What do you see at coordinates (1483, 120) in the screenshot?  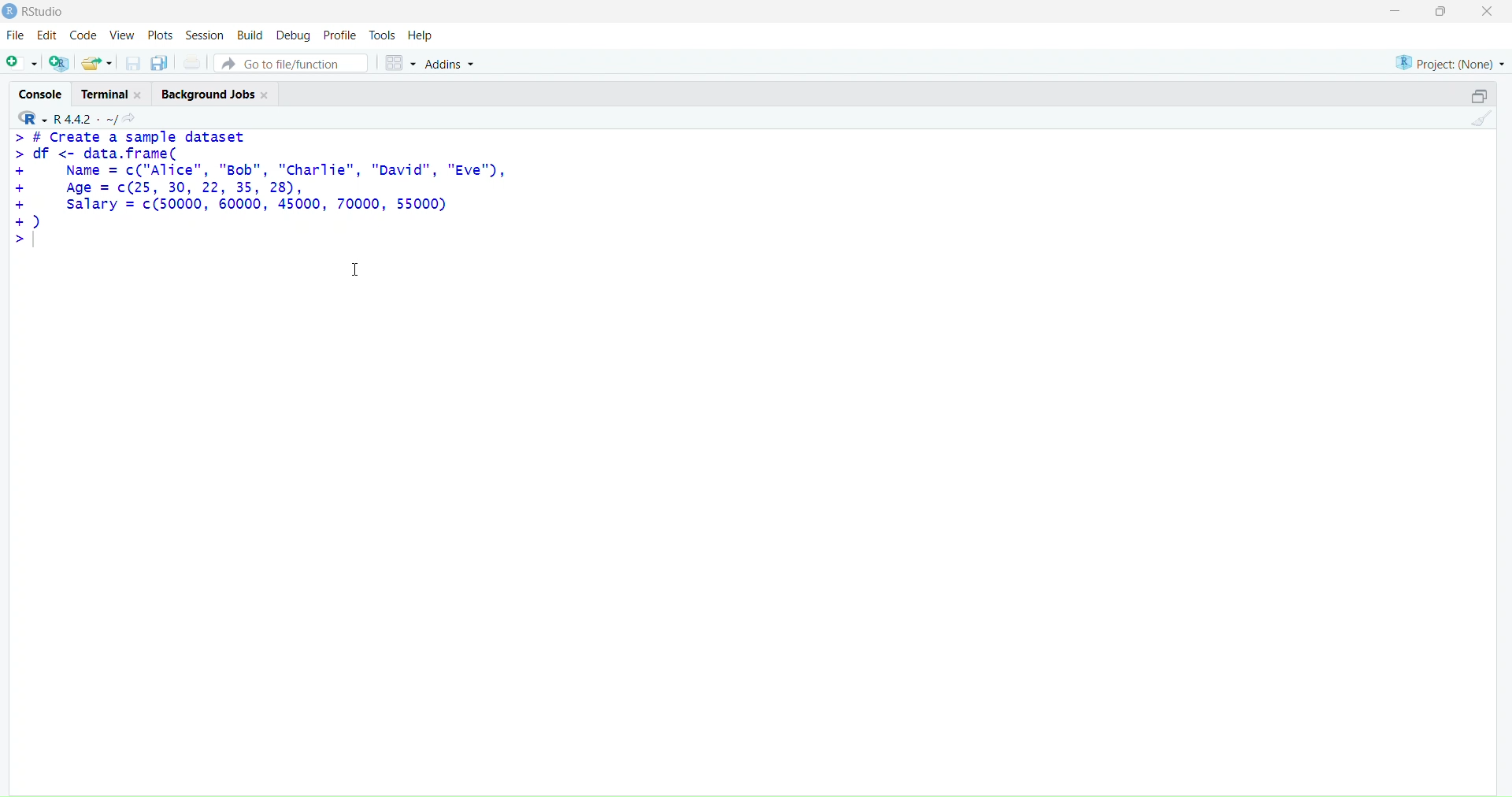 I see `clear console` at bounding box center [1483, 120].